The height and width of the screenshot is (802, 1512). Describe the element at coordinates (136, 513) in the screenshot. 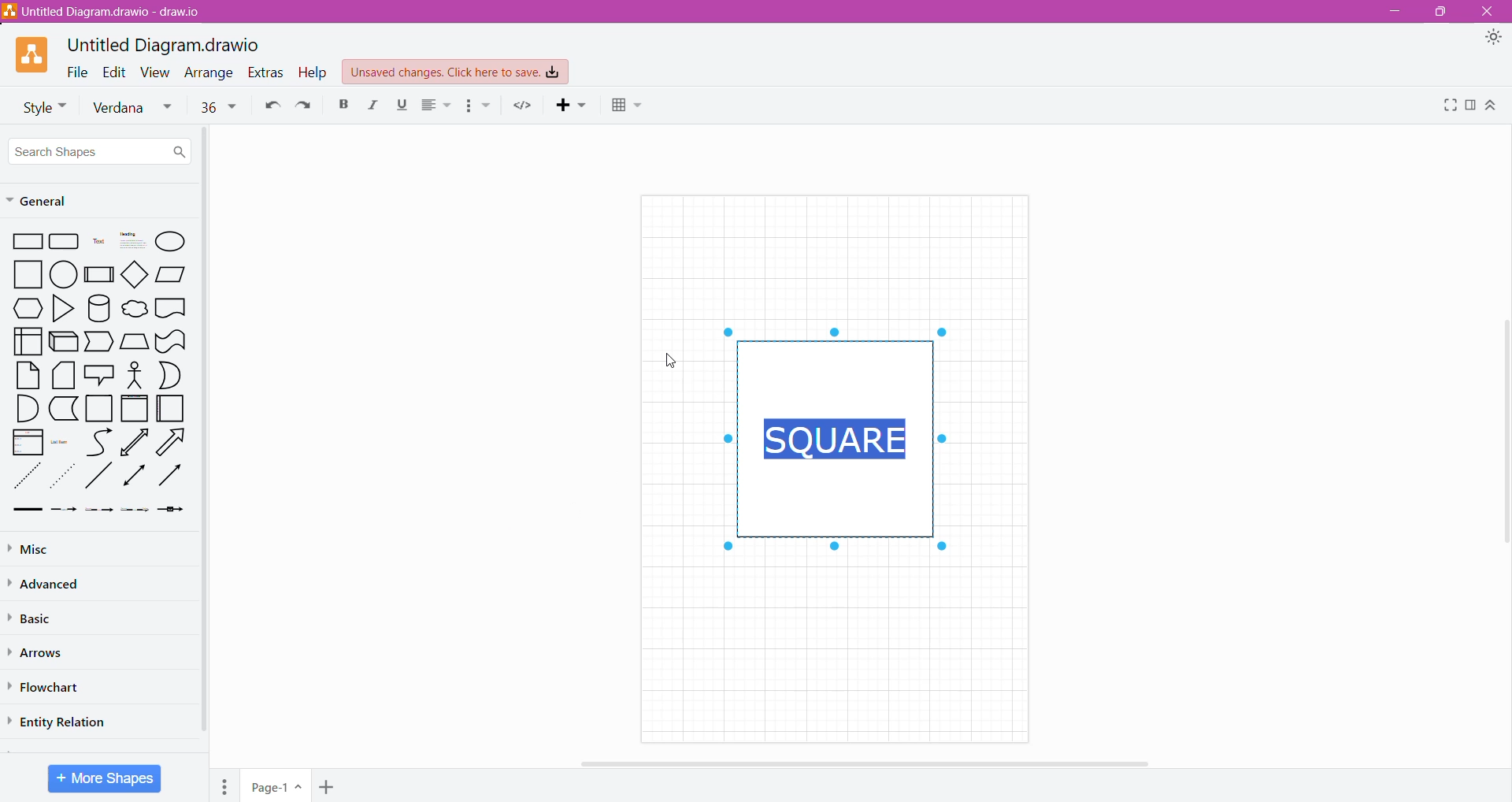

I see `Dotted Arrow` at that location.